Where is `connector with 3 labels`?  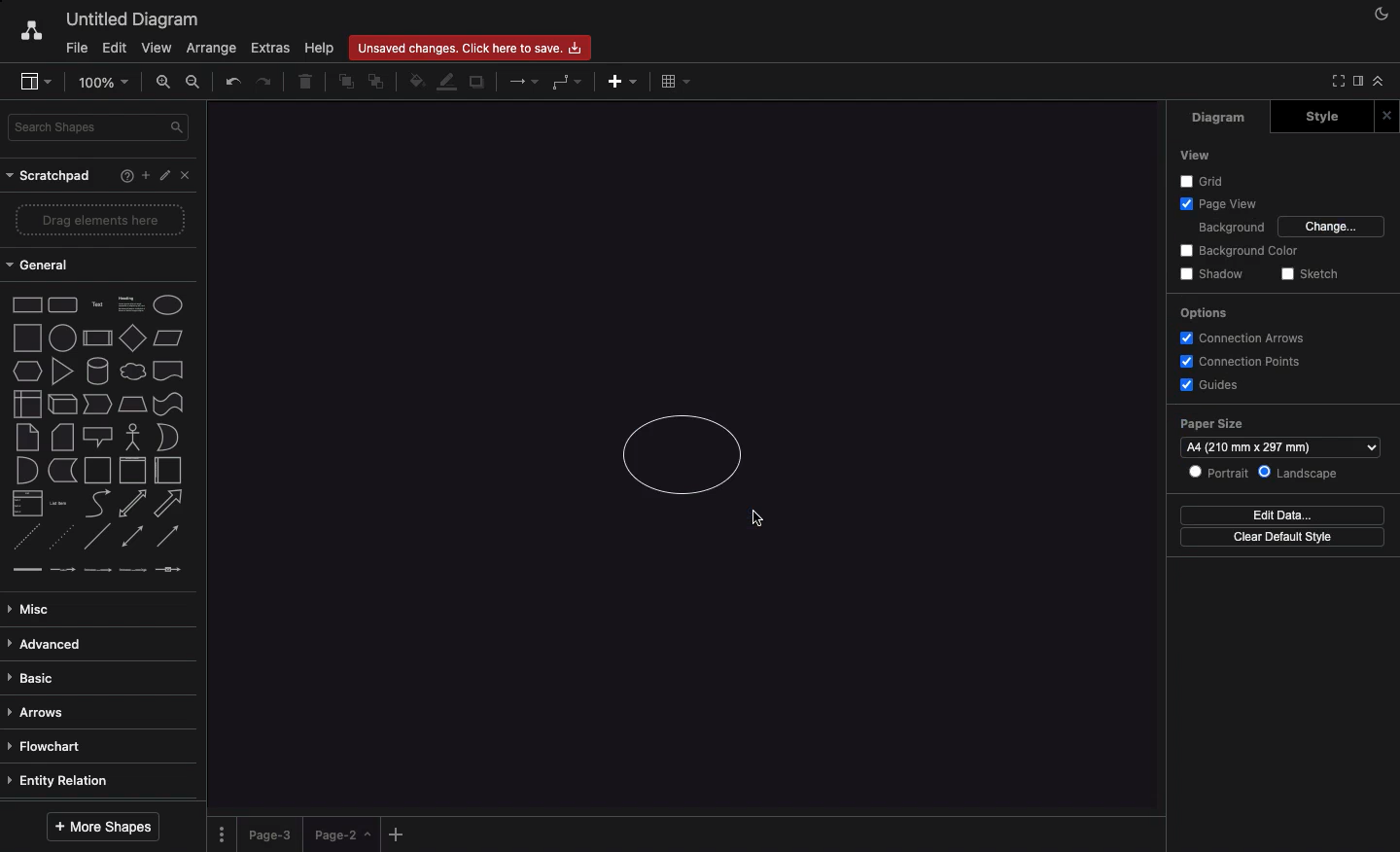
connector with 3 labels is located at coordinates (133, 570).